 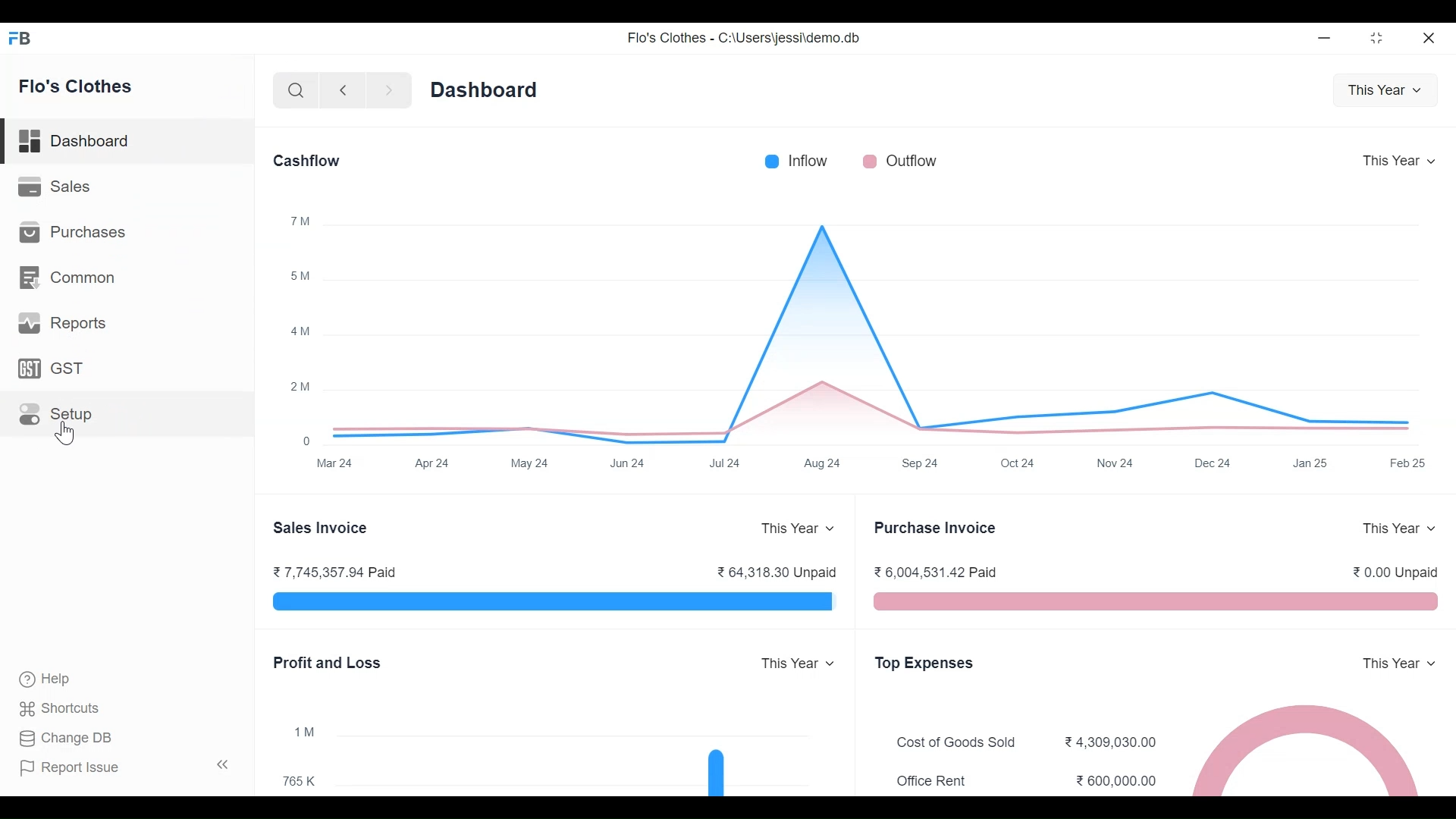 I want to click on Setup, so click(x=58, y=414).